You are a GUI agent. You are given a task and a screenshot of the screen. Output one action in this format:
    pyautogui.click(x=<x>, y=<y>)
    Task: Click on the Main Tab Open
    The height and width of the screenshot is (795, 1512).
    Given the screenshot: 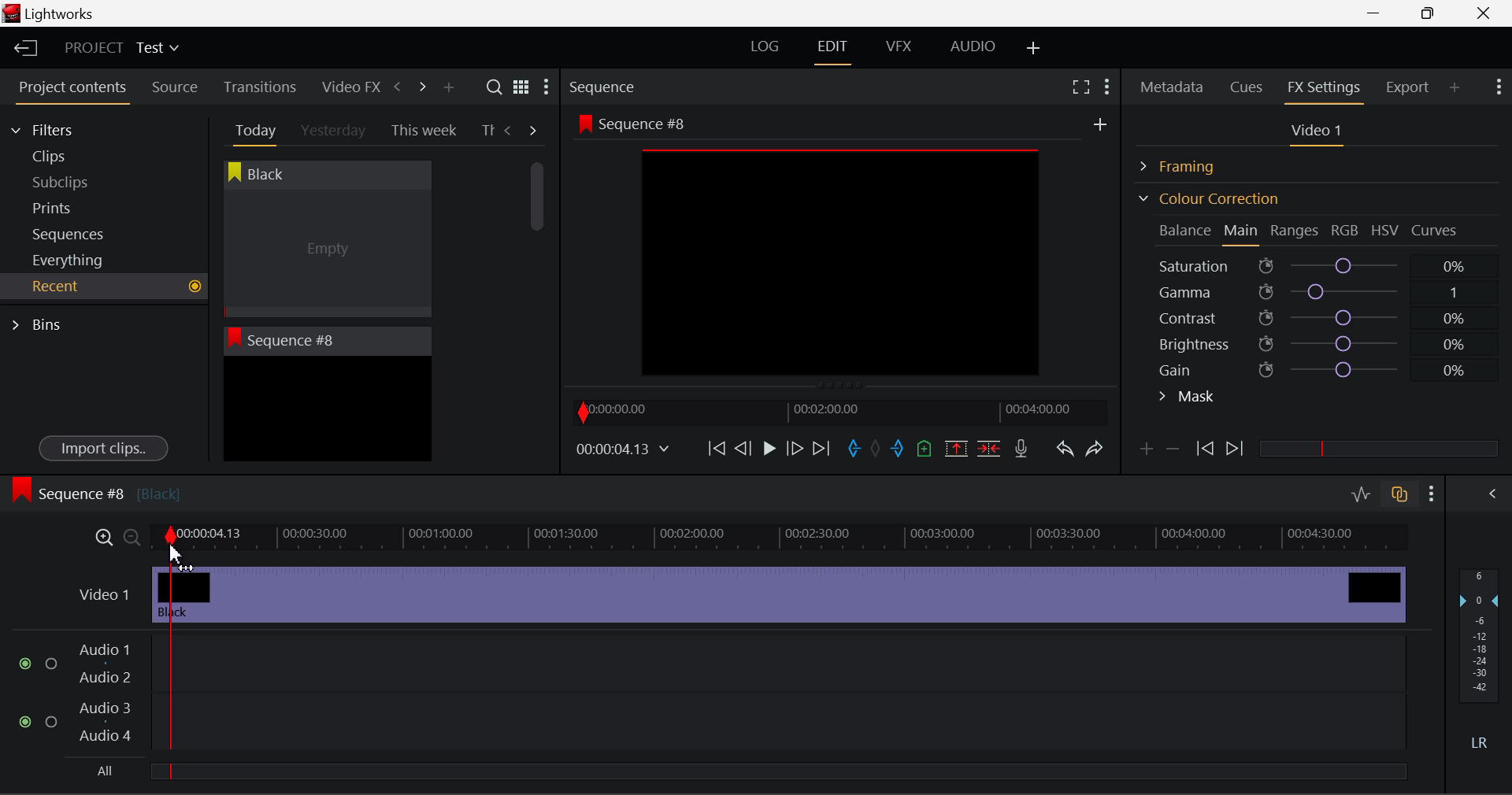 What is the action you would take?
    pyautogui.click(x=1242, y=232)
    